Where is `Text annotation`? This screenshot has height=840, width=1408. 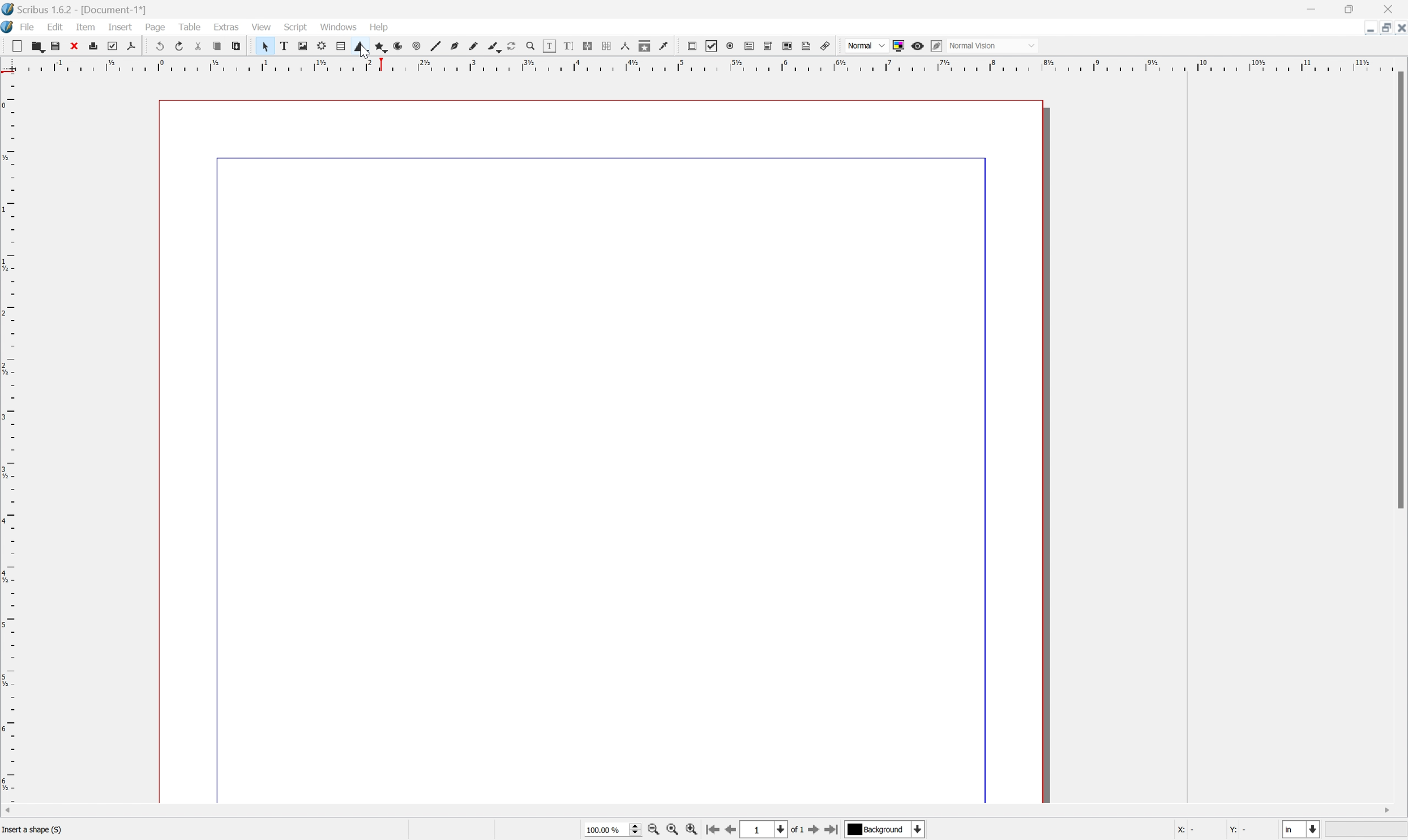 Text annotation is located at coordinates (807, 46).